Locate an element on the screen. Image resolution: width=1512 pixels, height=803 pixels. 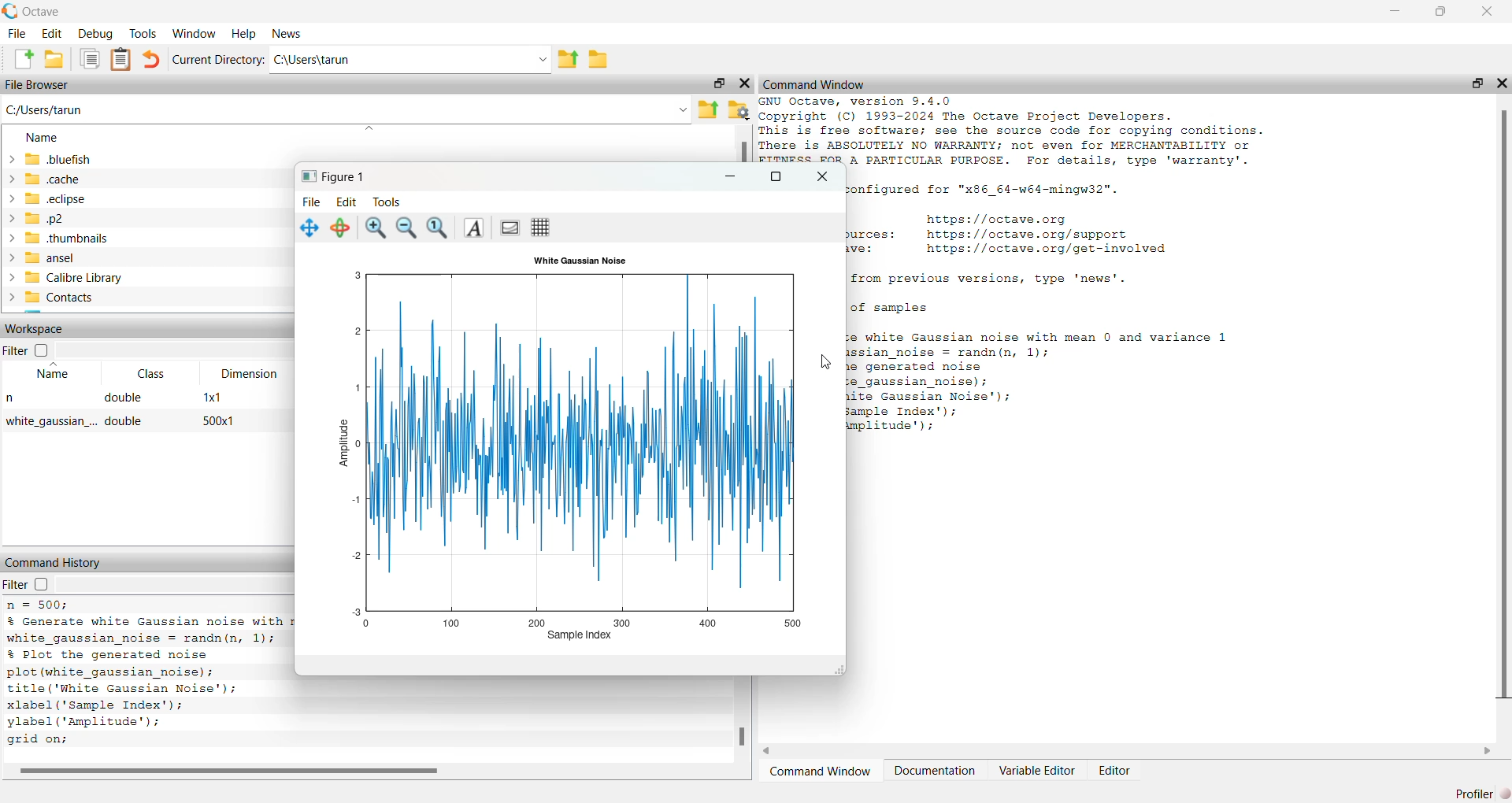
minimize is located at coordinates (728, 178).